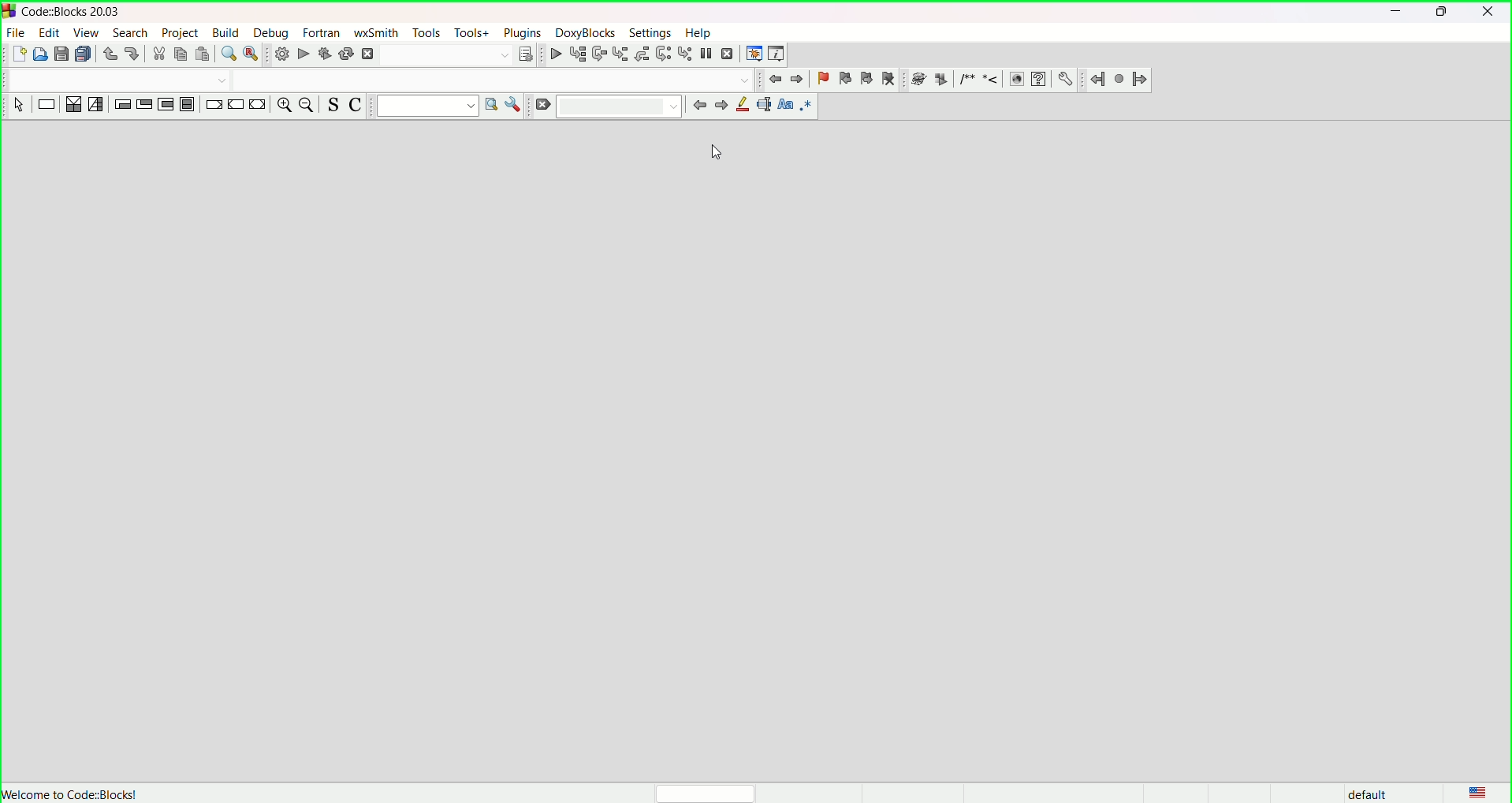 This screenshot has height=803, width=1512. What do you see at coordinates (730, 54) in the screenshot?
I see `stop debugger` at bounding box center [730, 54].